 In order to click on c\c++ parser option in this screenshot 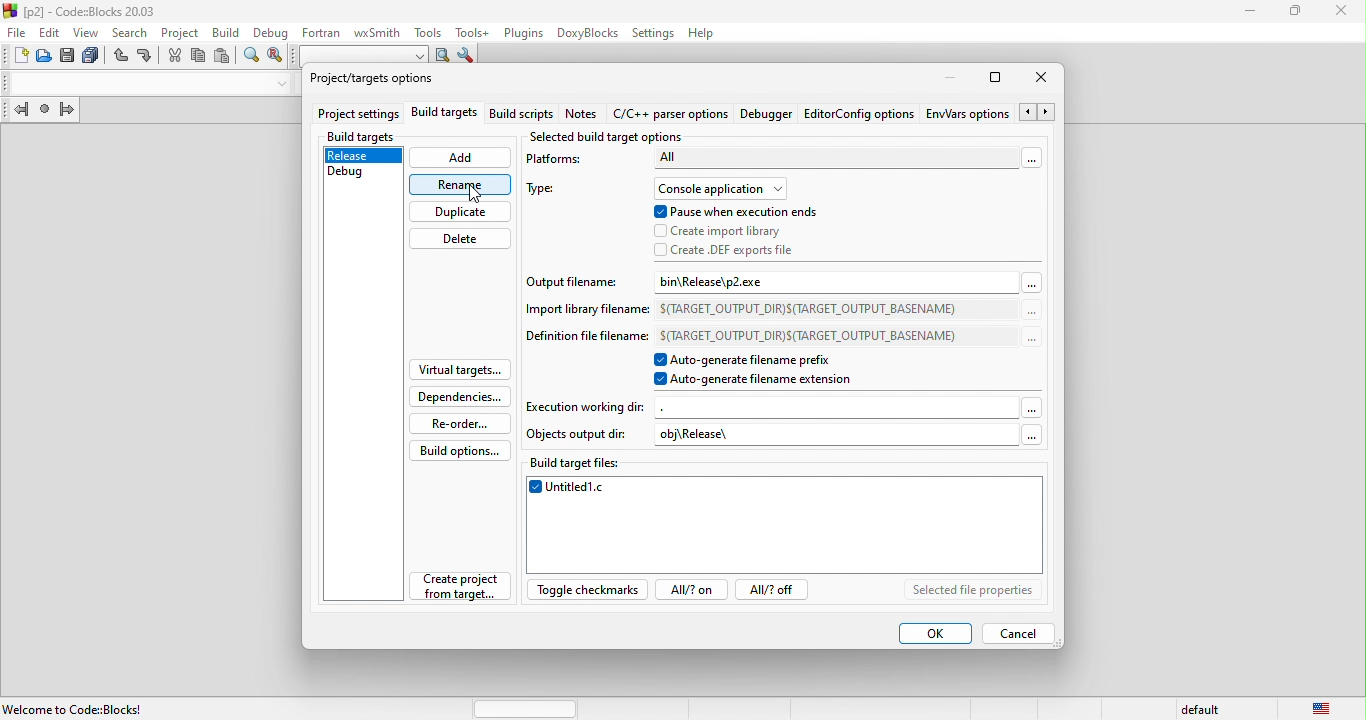, I will do `click(673, 115)`.